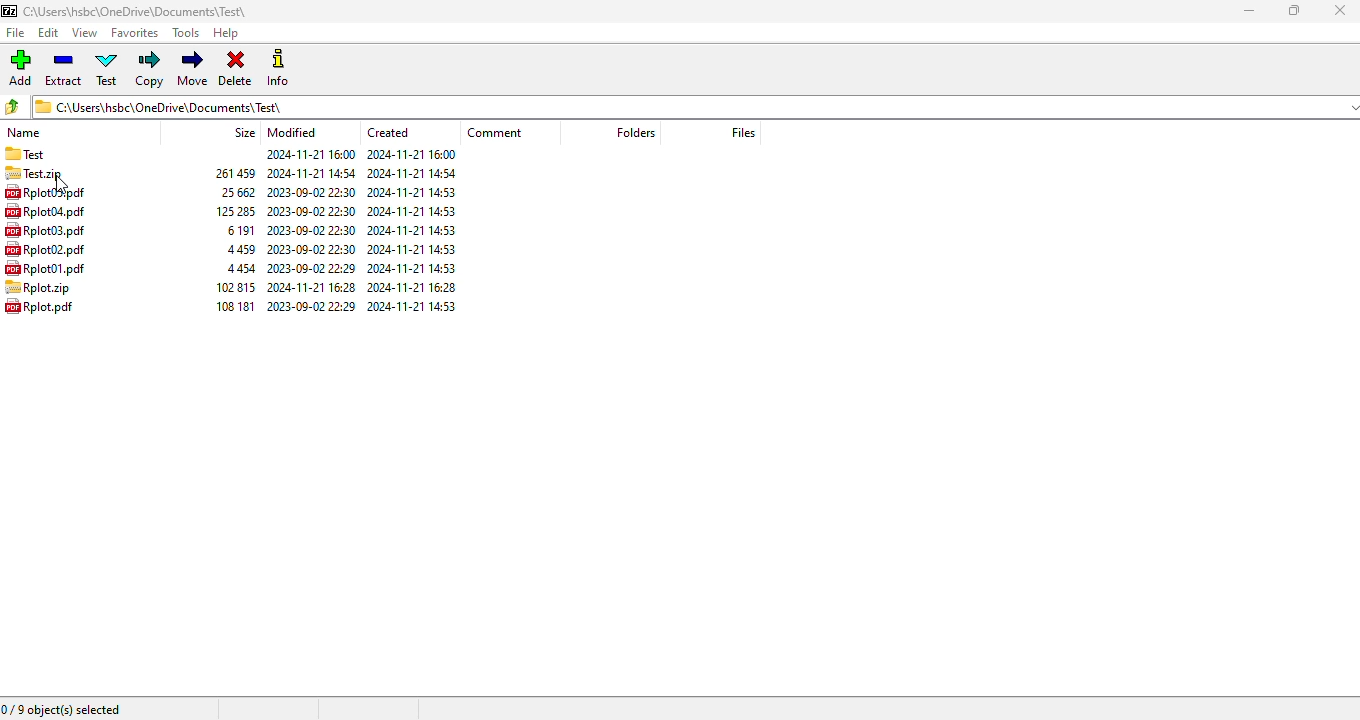 Image resolution: width=1360 pixels, height=720 pixels. Describe the element at coordinates (107, 70) in the screenshot. I see `test` at that location.